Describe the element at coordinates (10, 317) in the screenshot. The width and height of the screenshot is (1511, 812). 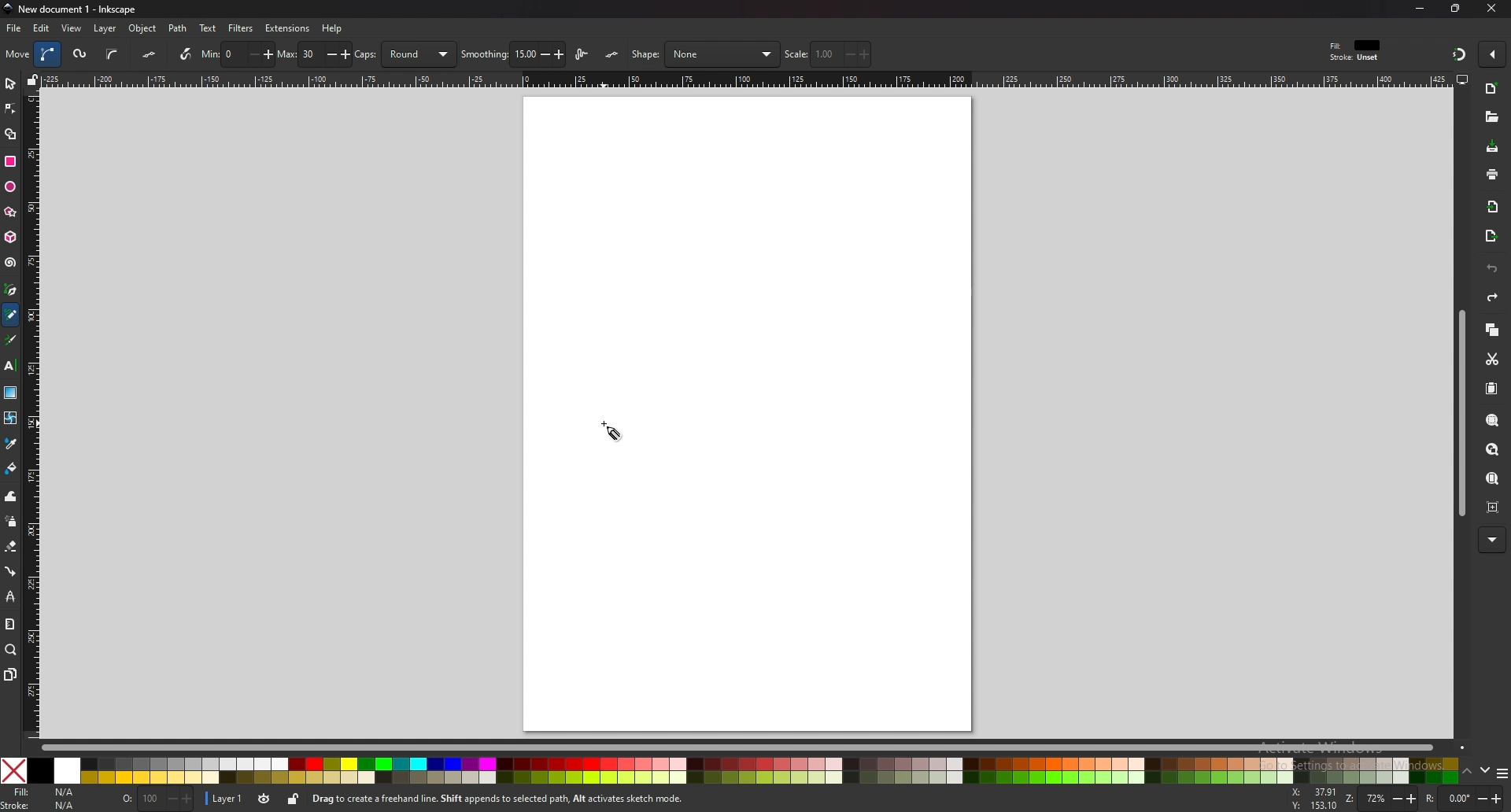
I see `pencil` at that location.